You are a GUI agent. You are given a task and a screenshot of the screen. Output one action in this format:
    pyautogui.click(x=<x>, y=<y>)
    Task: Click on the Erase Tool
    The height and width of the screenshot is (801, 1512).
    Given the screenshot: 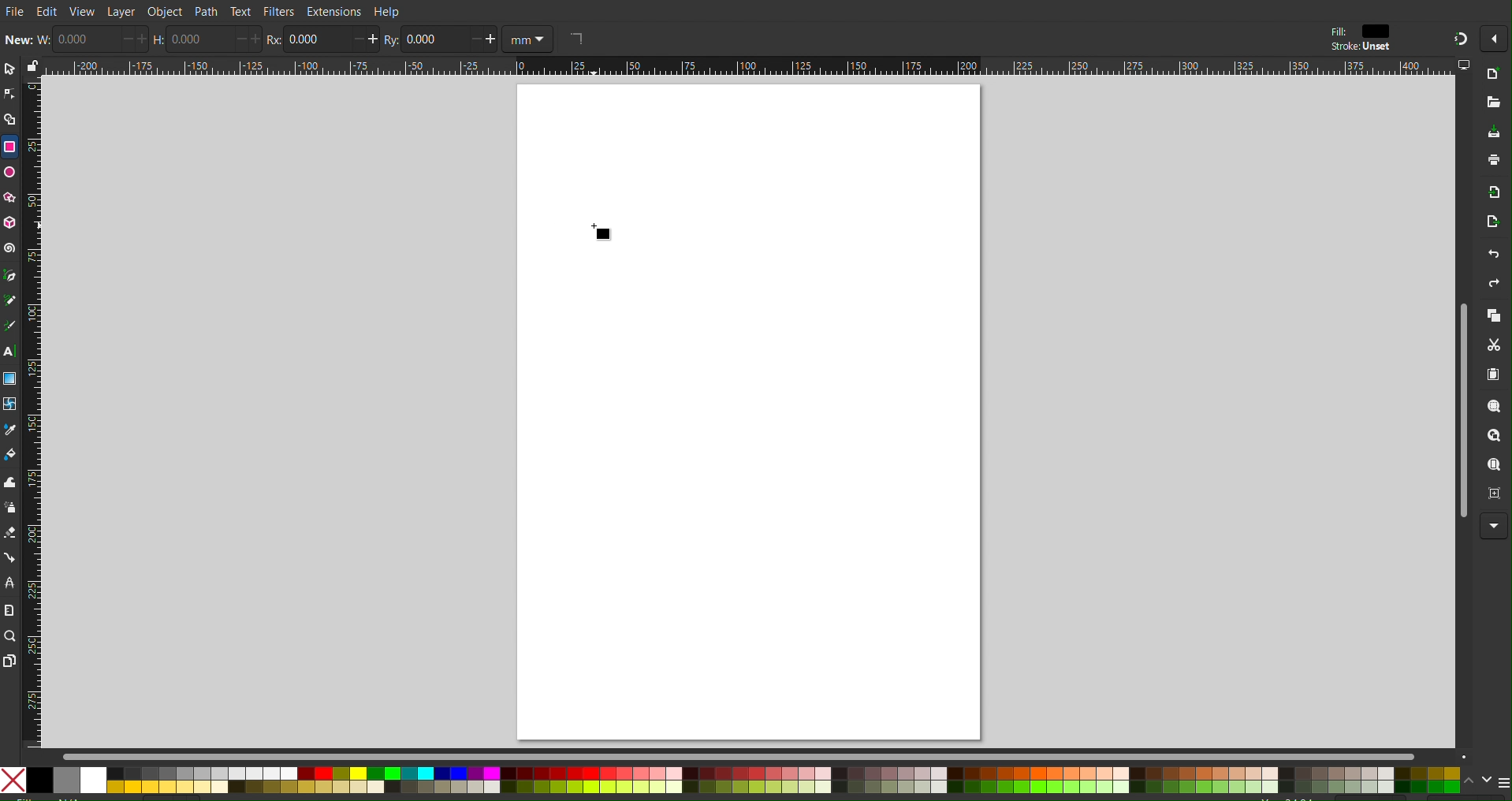 What is the action you would take?
    pyautogui.click(x=9, y=535)
    